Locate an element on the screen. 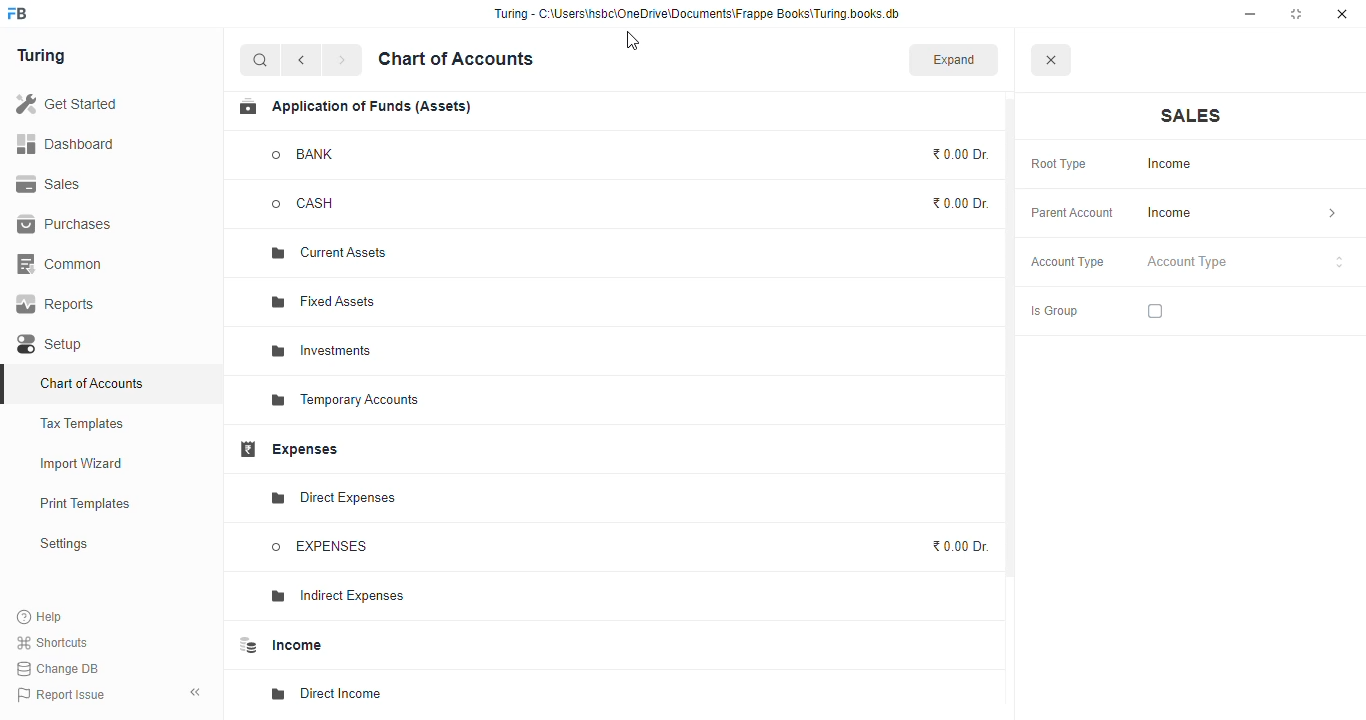 The width and height of the screenshot is (1366, 720). common is located at coordinates (61, 264).